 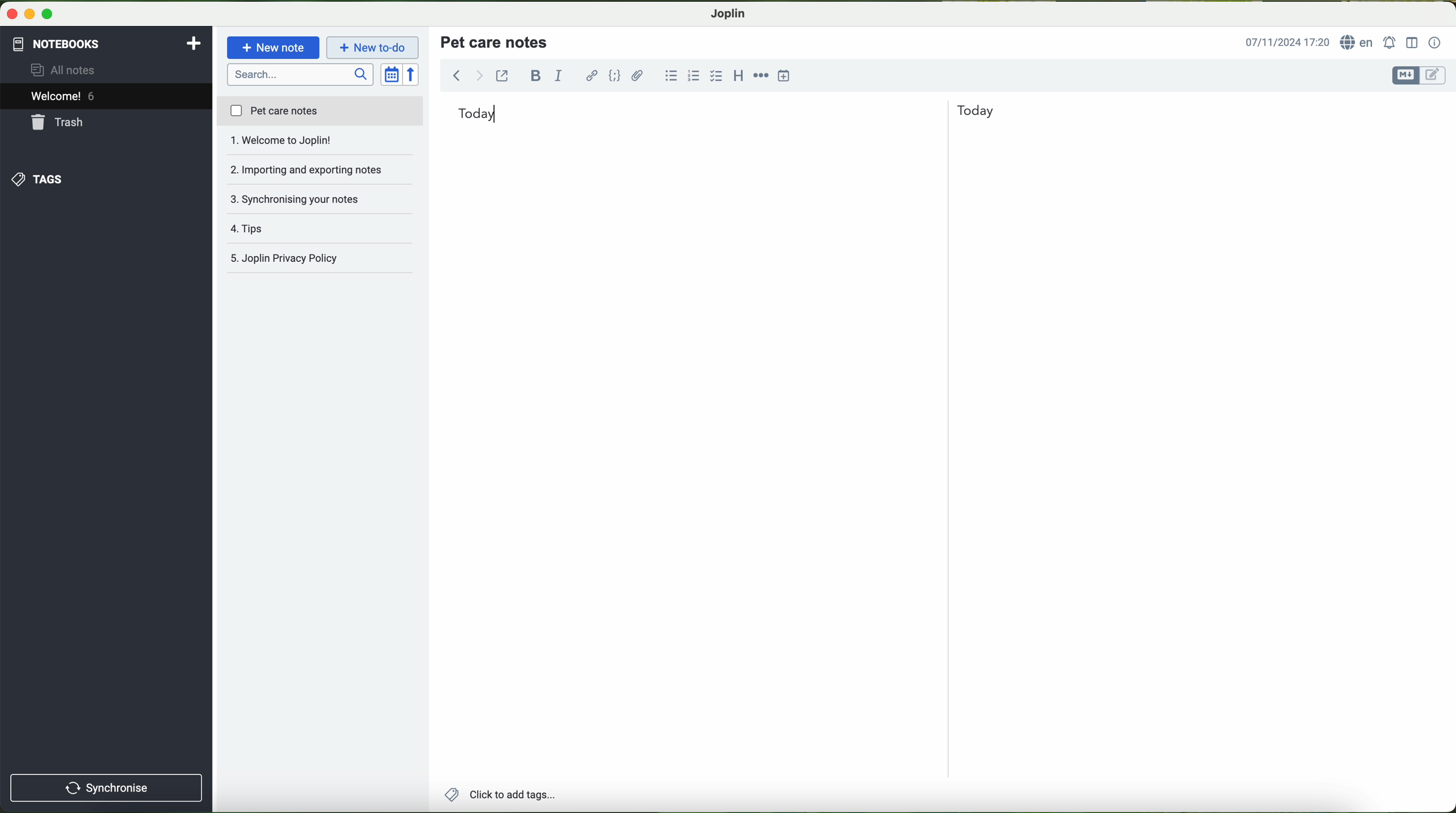 What do you see at coordinates (692, 76) in the screenshot?
I see `numbered list` at bounding box center [692, 76].